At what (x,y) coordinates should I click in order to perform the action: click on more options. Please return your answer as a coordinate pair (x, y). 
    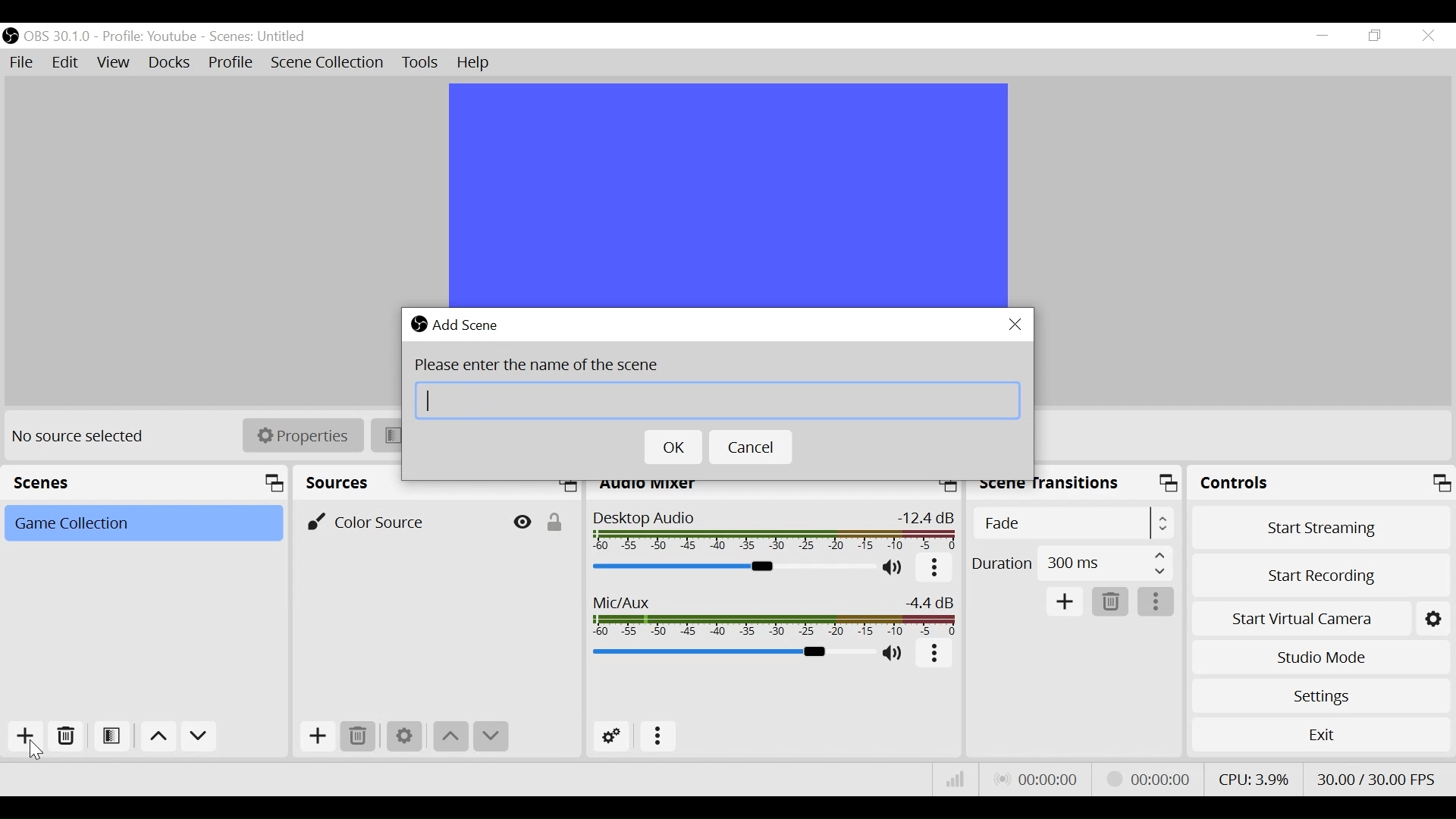
    Looking at the image, I should click on (934, 570).